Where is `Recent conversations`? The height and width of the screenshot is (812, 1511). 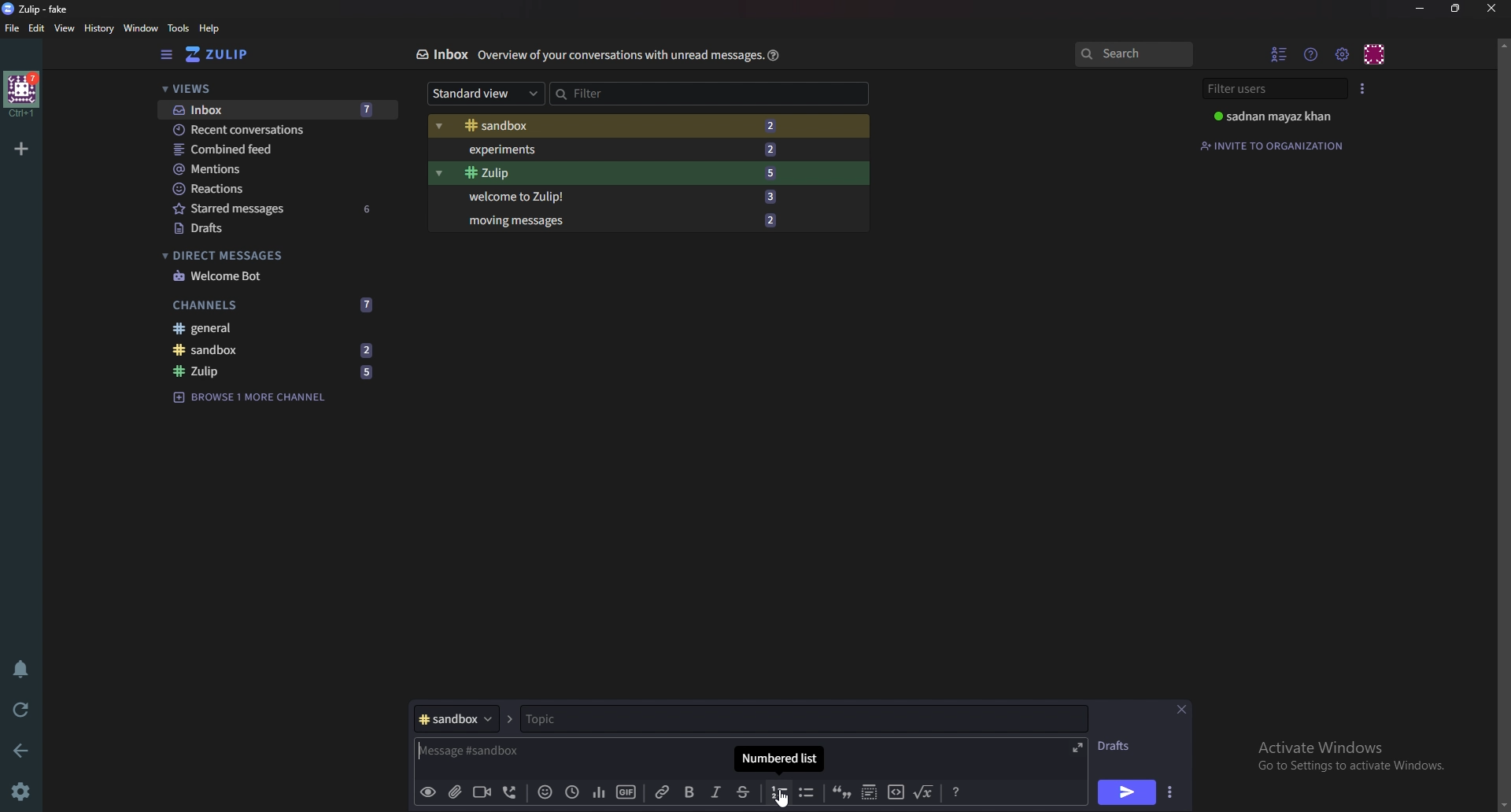
Recent conversations is located at coordinates (278, 131).